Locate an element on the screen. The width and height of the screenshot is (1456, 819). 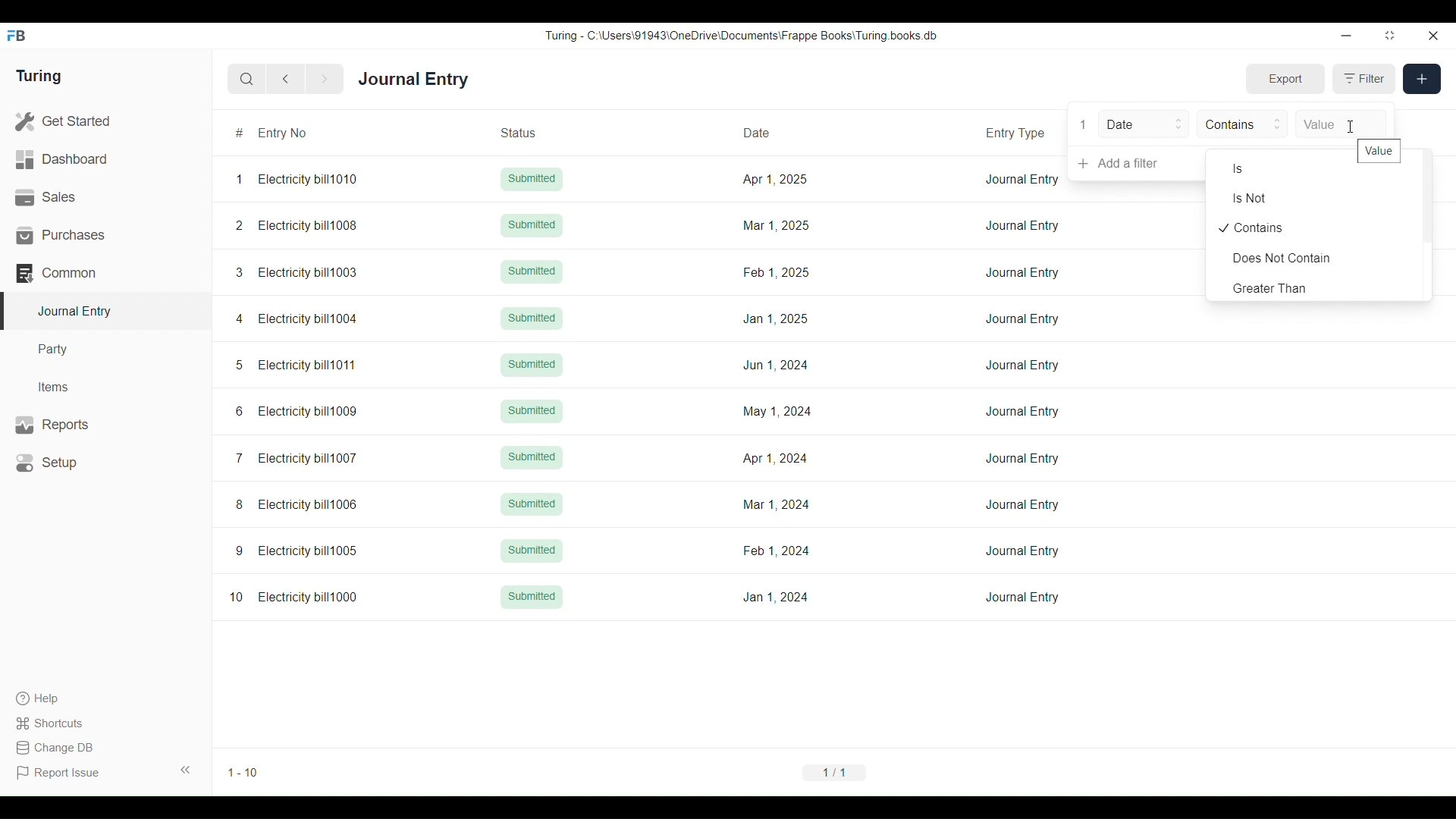
6 Electricity bill1009 is located at coordinates (297, 411).